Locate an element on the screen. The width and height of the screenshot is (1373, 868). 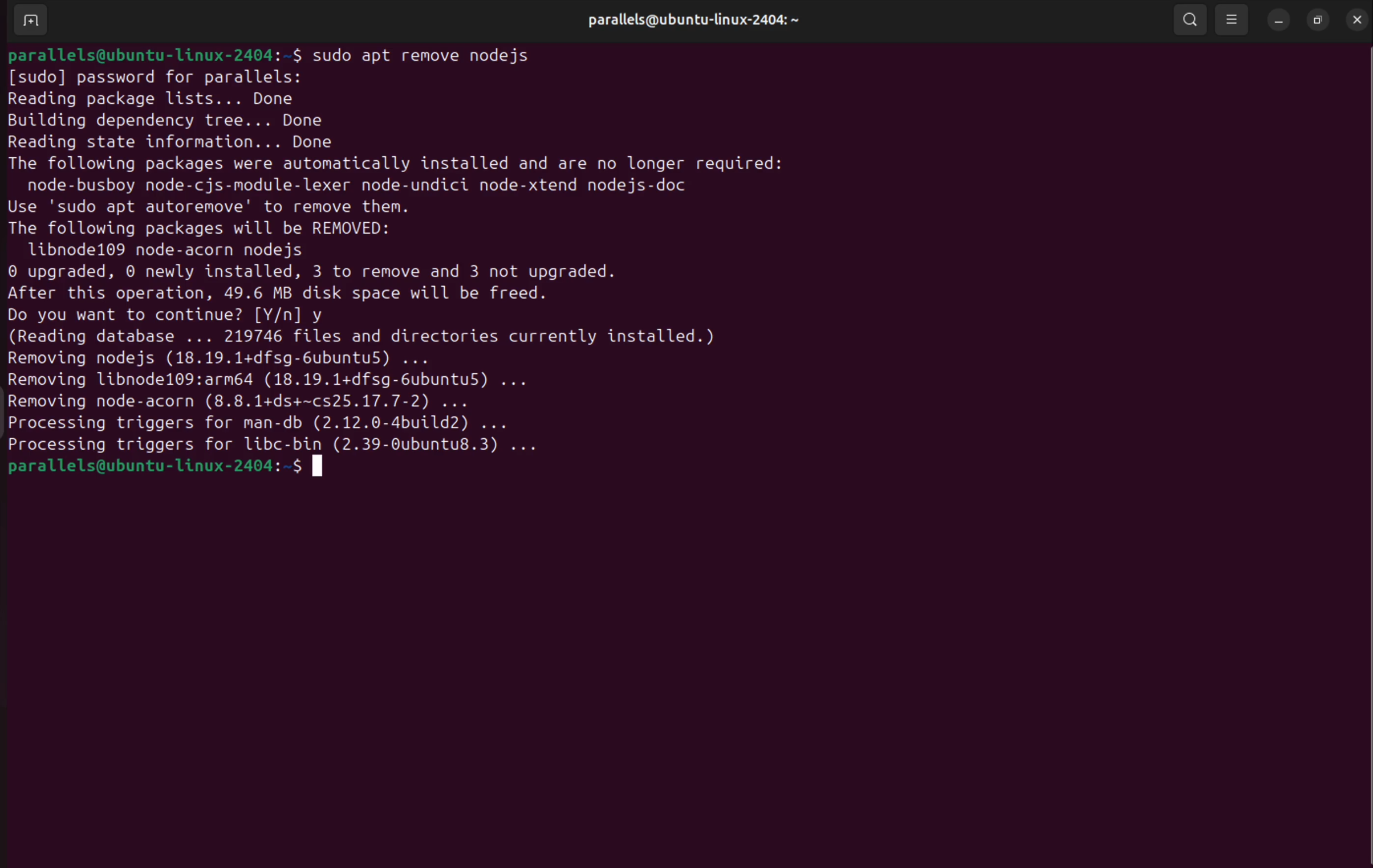
y is located at coordinates (324, 315).